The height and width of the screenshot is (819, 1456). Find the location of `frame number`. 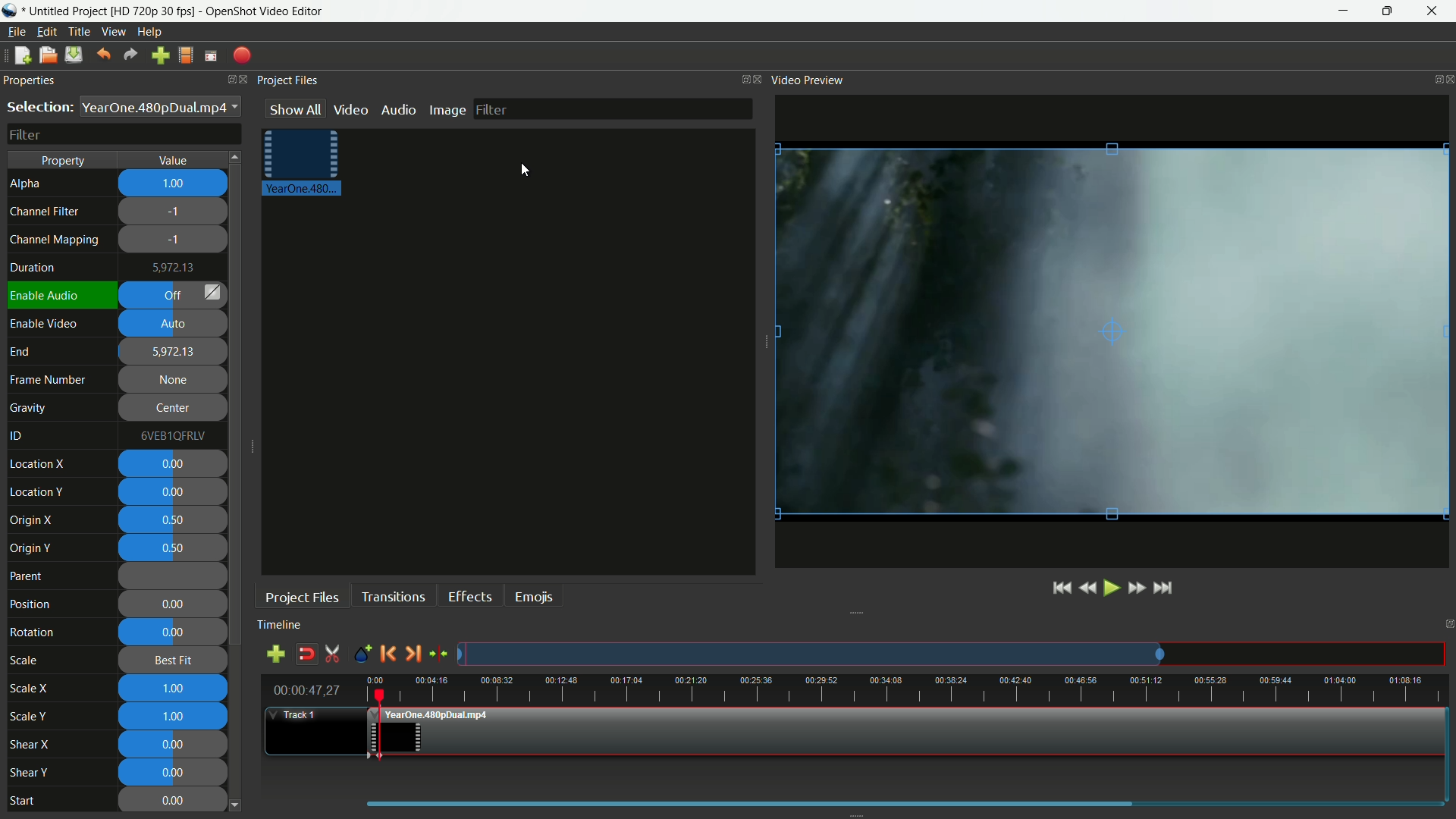

frame number is located at coordinates (49, 380).